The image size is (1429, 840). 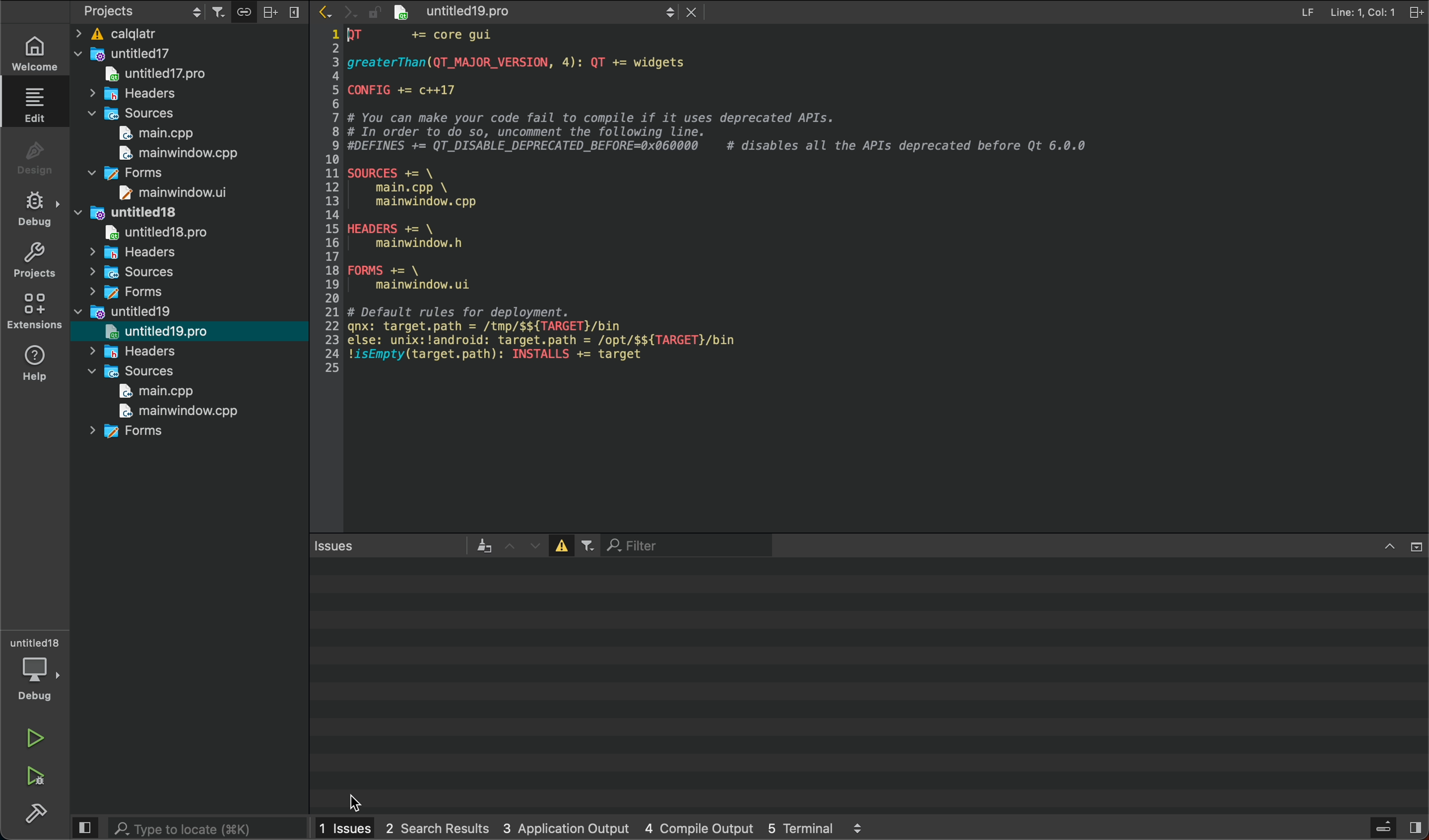 What do you see at coordinates (184, 11) in the screenshot?
I see `projects` at bounding box center [184, 11].